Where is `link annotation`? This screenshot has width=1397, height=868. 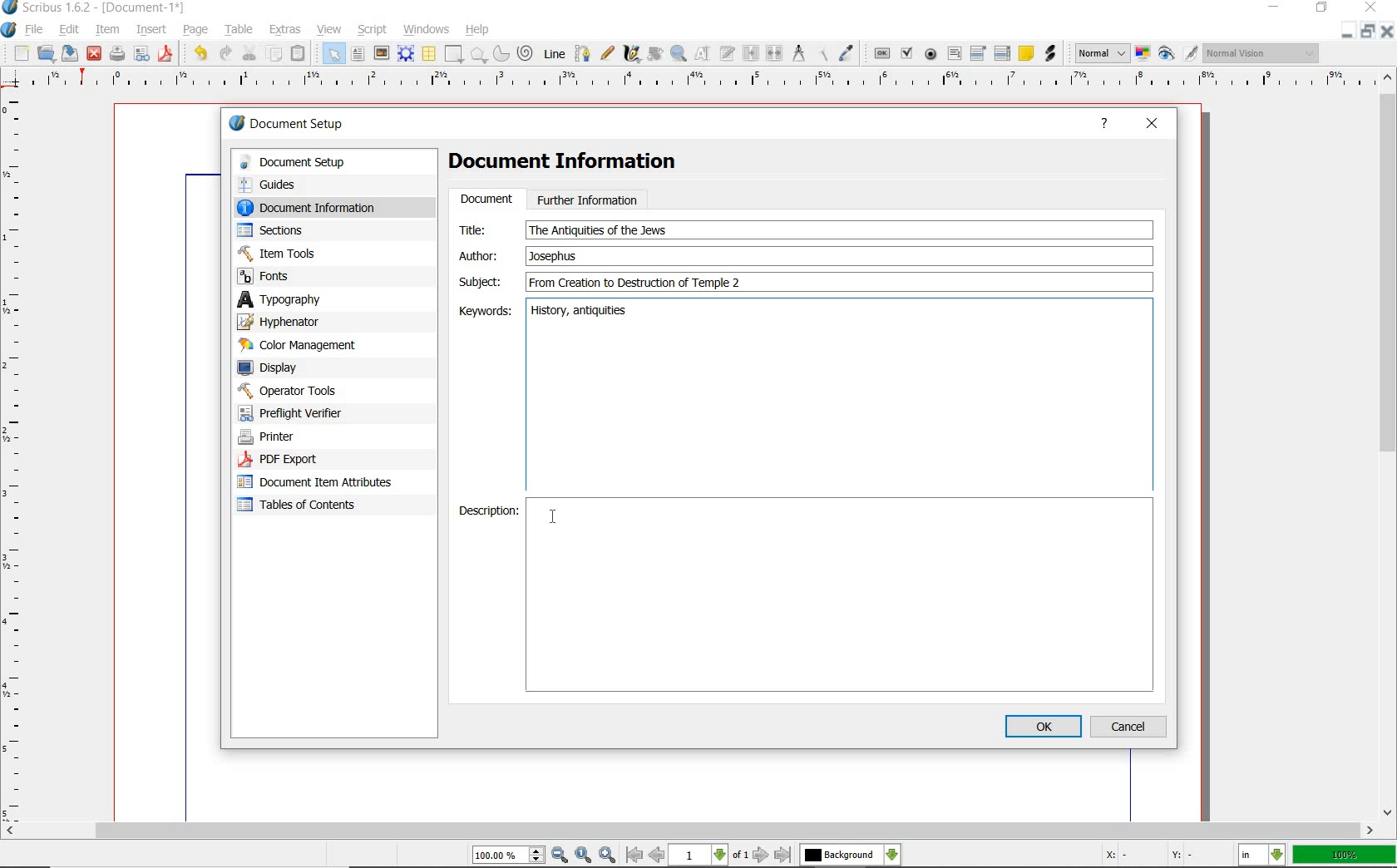 link annotation is located at coordinates (1049, 54).